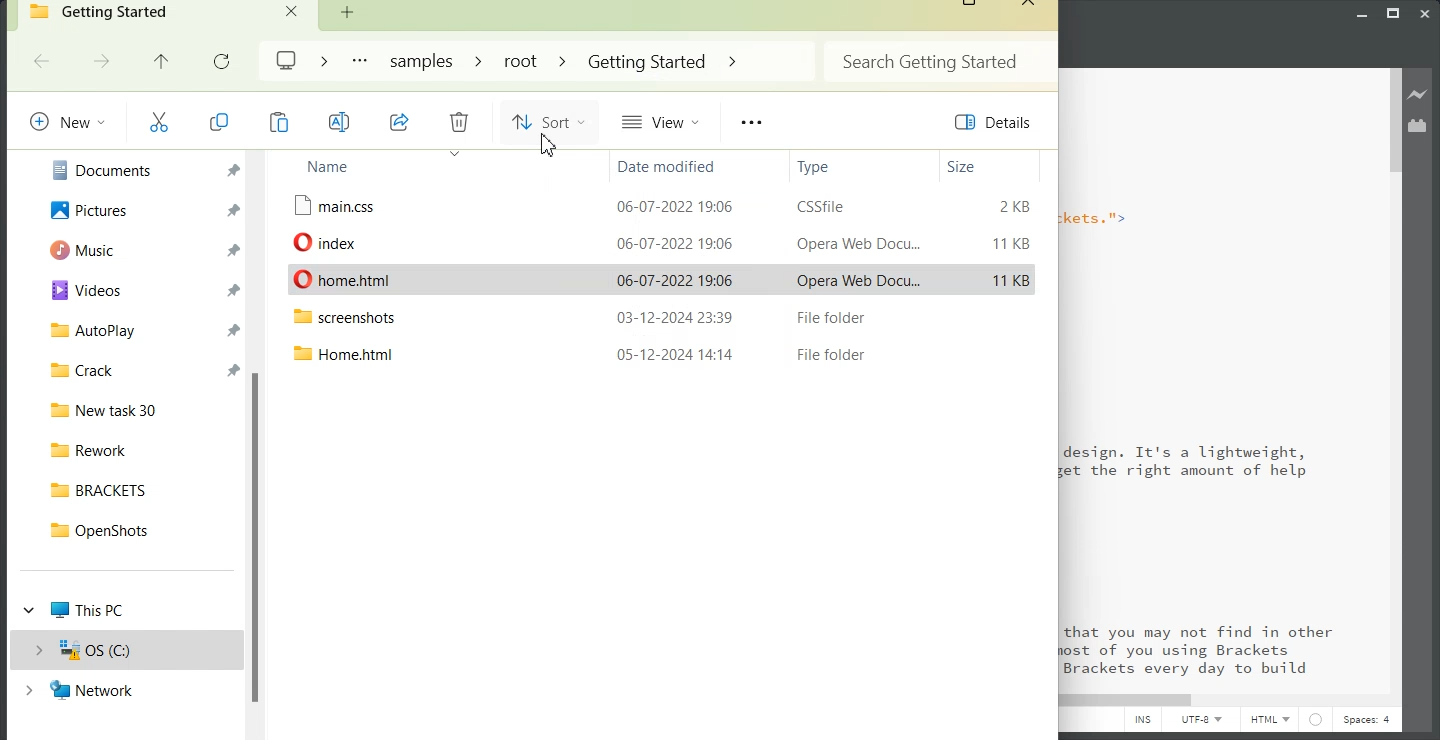 The height and width of the screenshot is (740, 1440). What do you see at coordinates (288, 60) in the screenshot?
I see `Logo` at bounding box center [288, 60].